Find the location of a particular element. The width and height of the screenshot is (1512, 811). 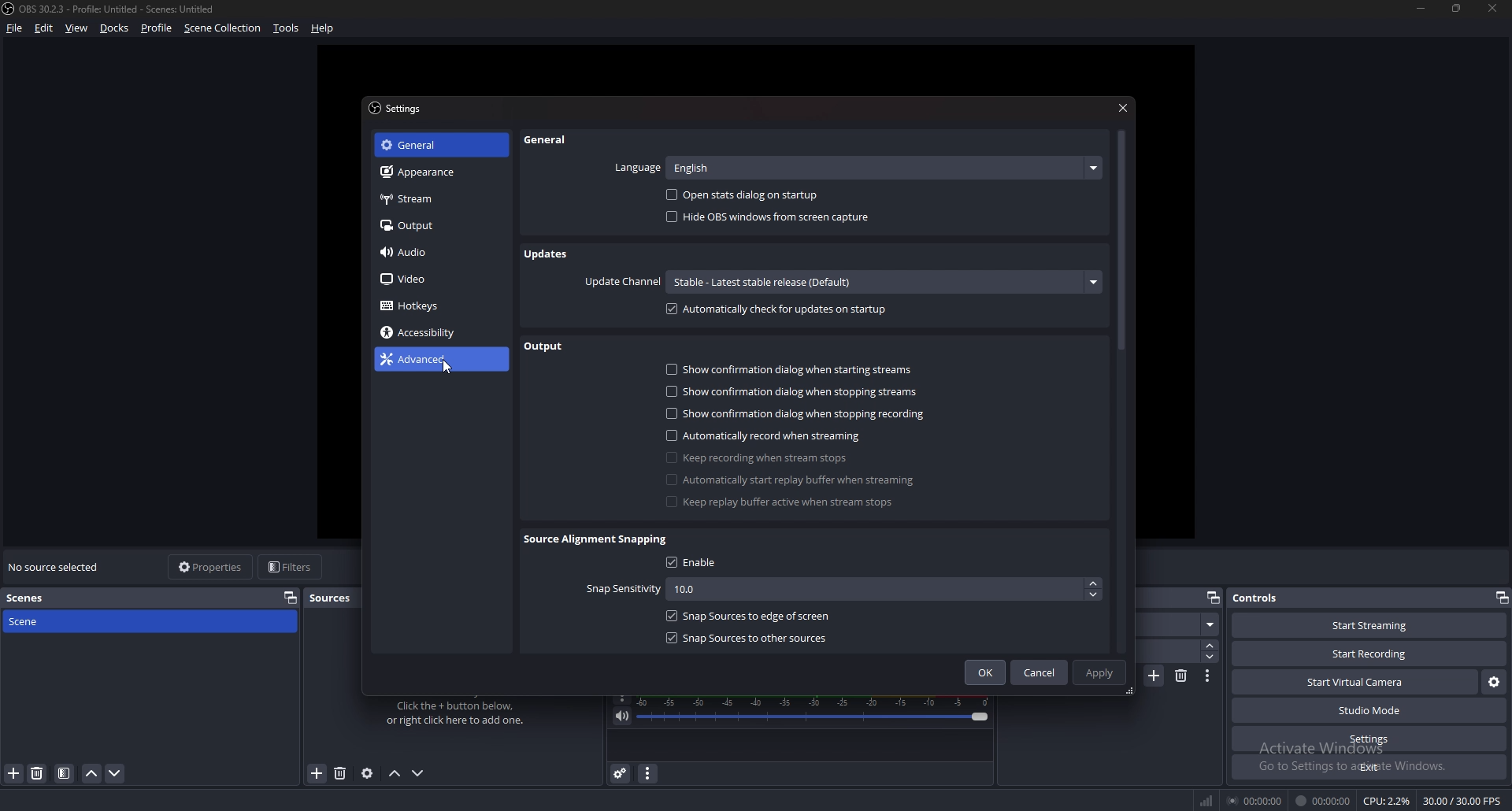

increase duration is located at coordinates (1210, 646).